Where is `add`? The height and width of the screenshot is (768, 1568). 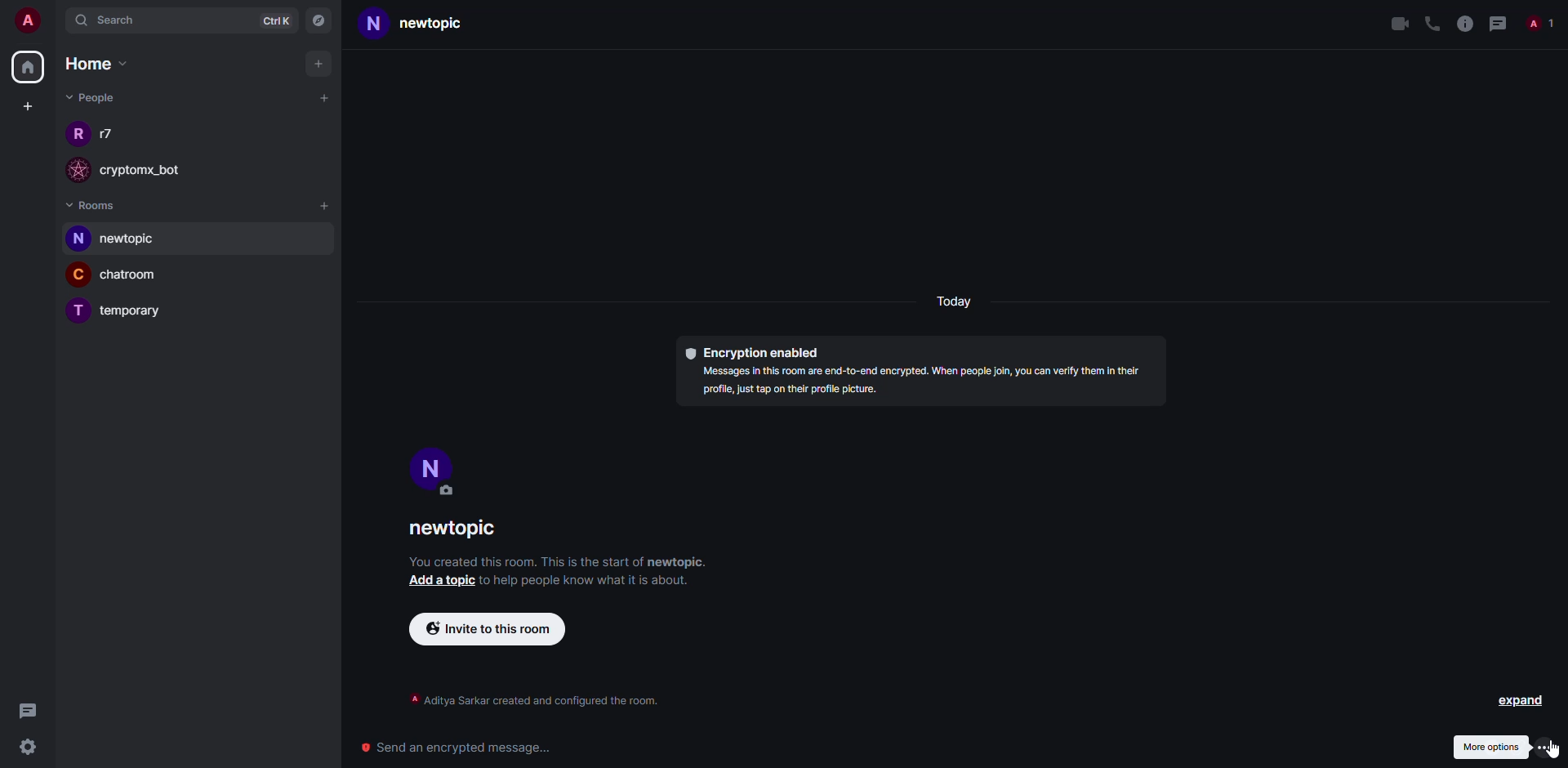
add is located at coordinates (316, 63).